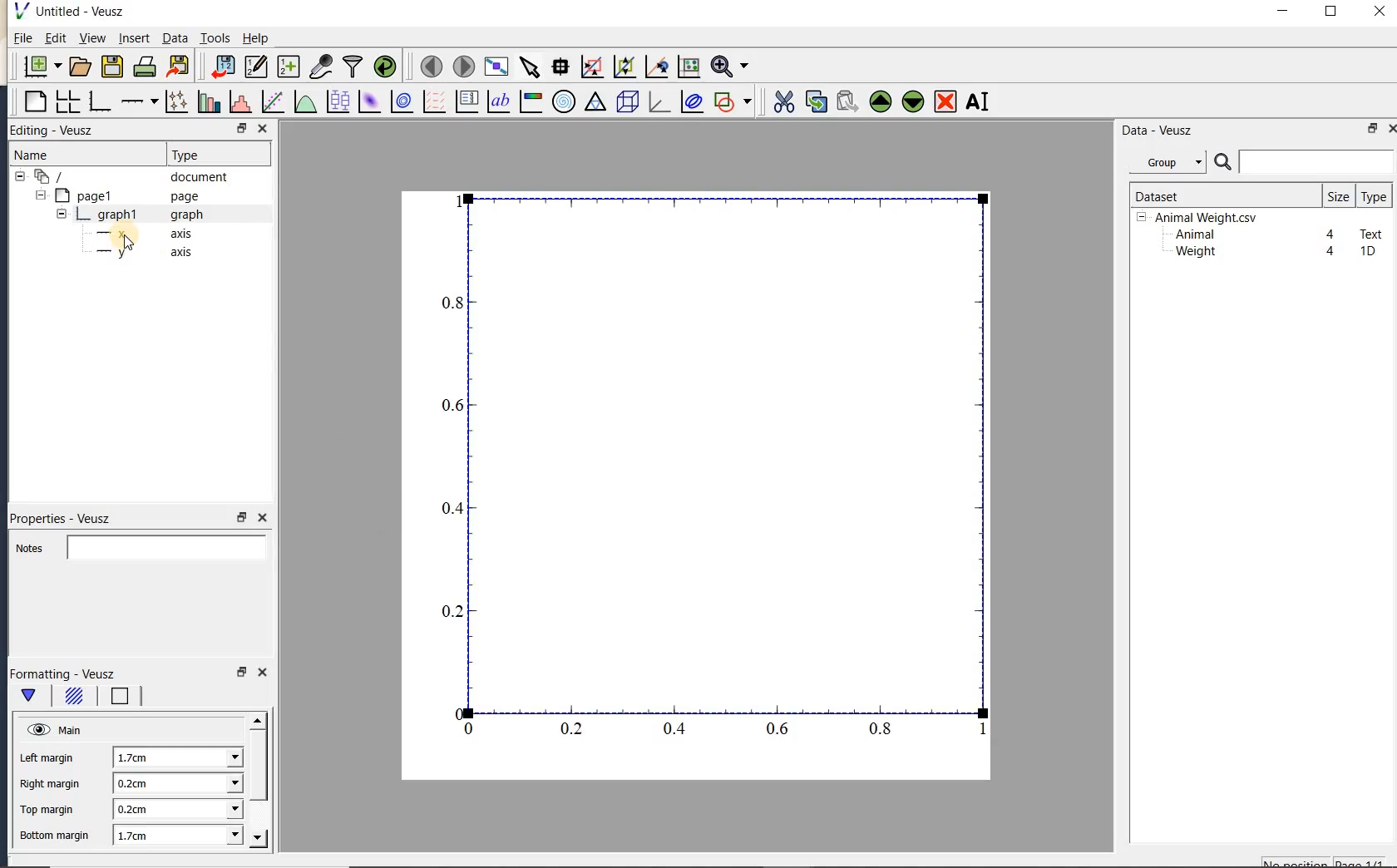  What do you see at coordinates (1193, 235) in the screenshot?
I see `Animal` at bounding box center [1193, 235].